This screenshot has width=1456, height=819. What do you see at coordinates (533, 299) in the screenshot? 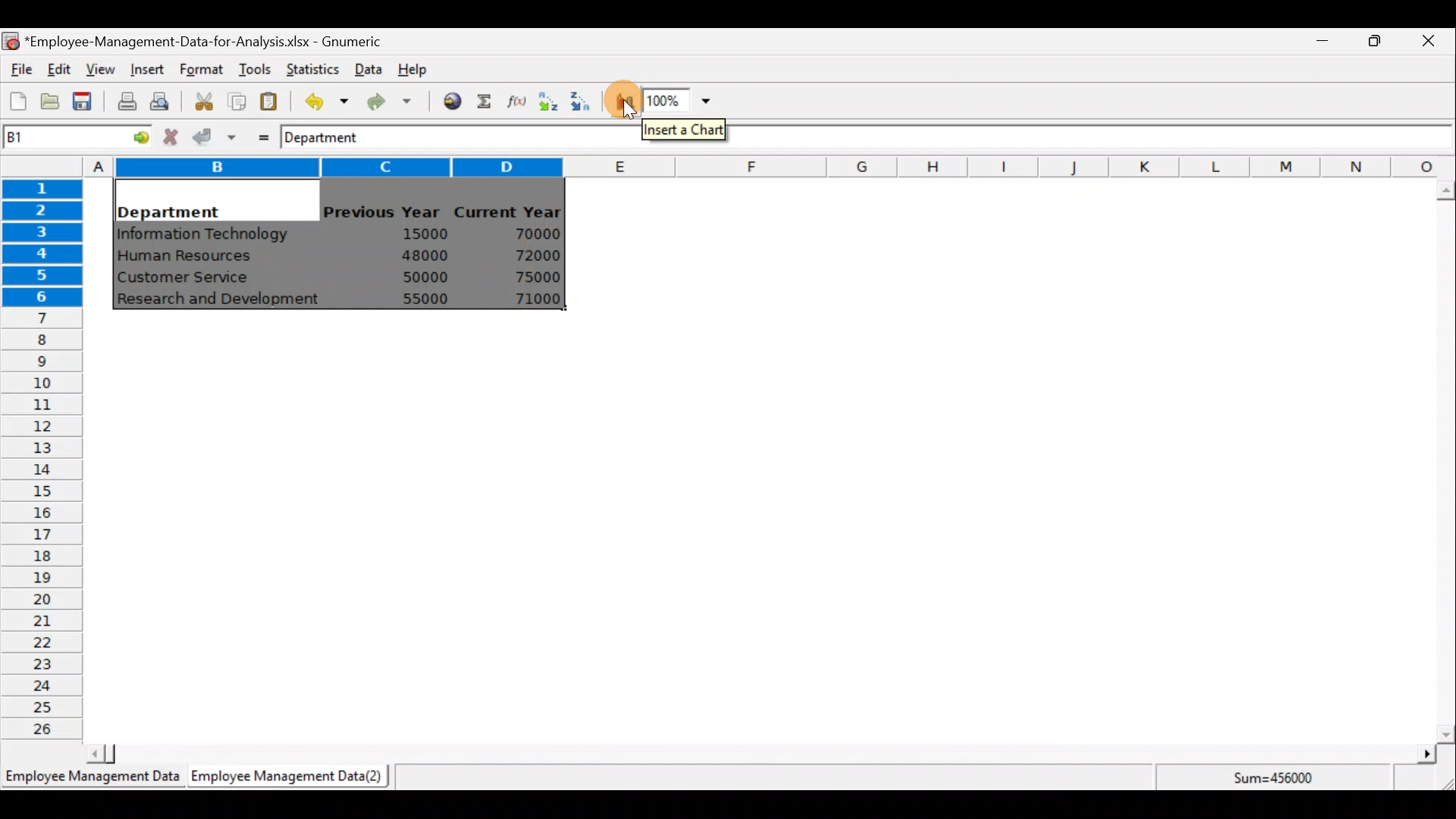
I see `71000` at bounding box center [533, 299].